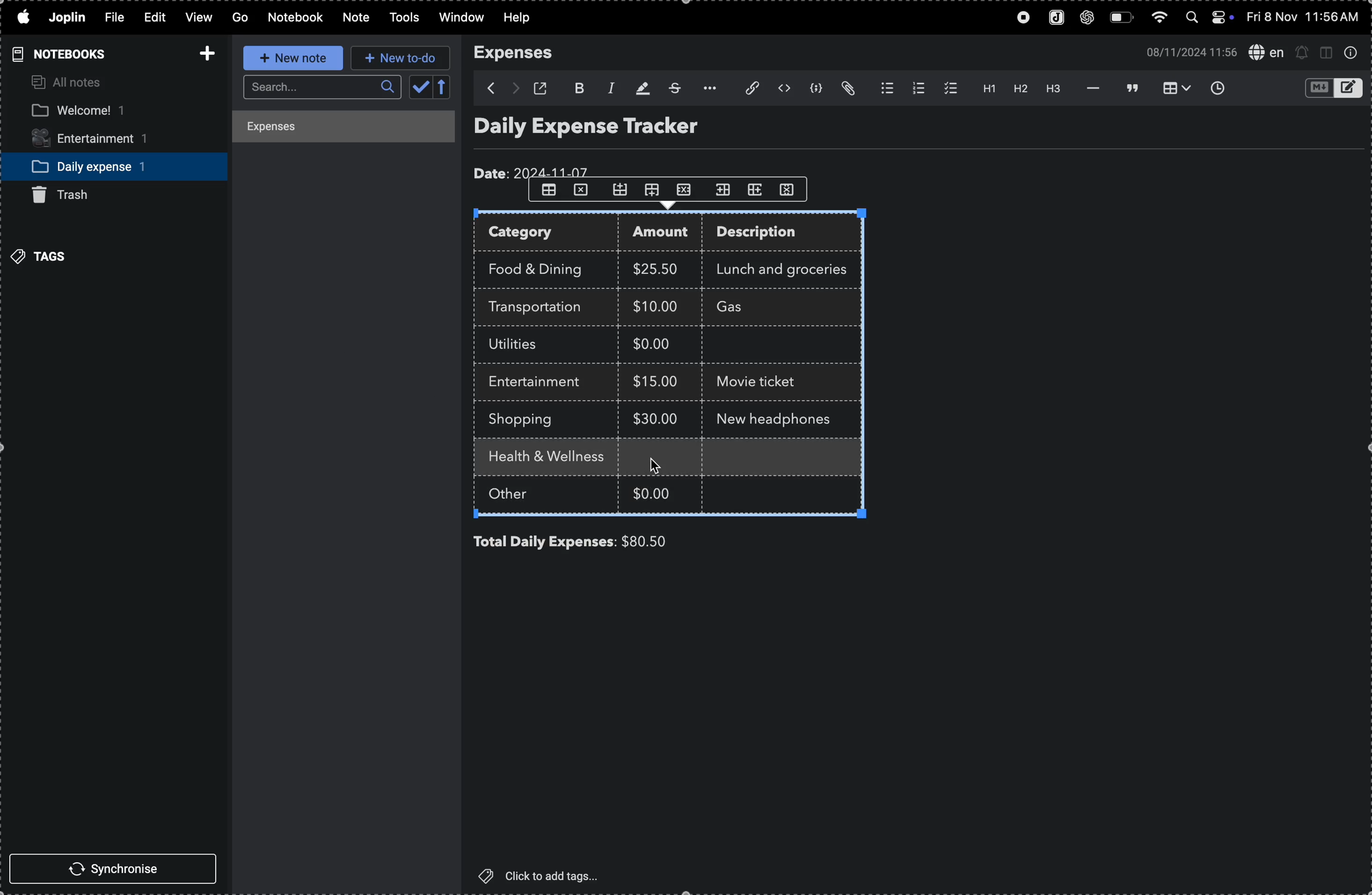 The height and width of the screenshot is (895, 1372). Describe the element at coordinates (578, 87) in the screenshot. I see `bold` at that location.